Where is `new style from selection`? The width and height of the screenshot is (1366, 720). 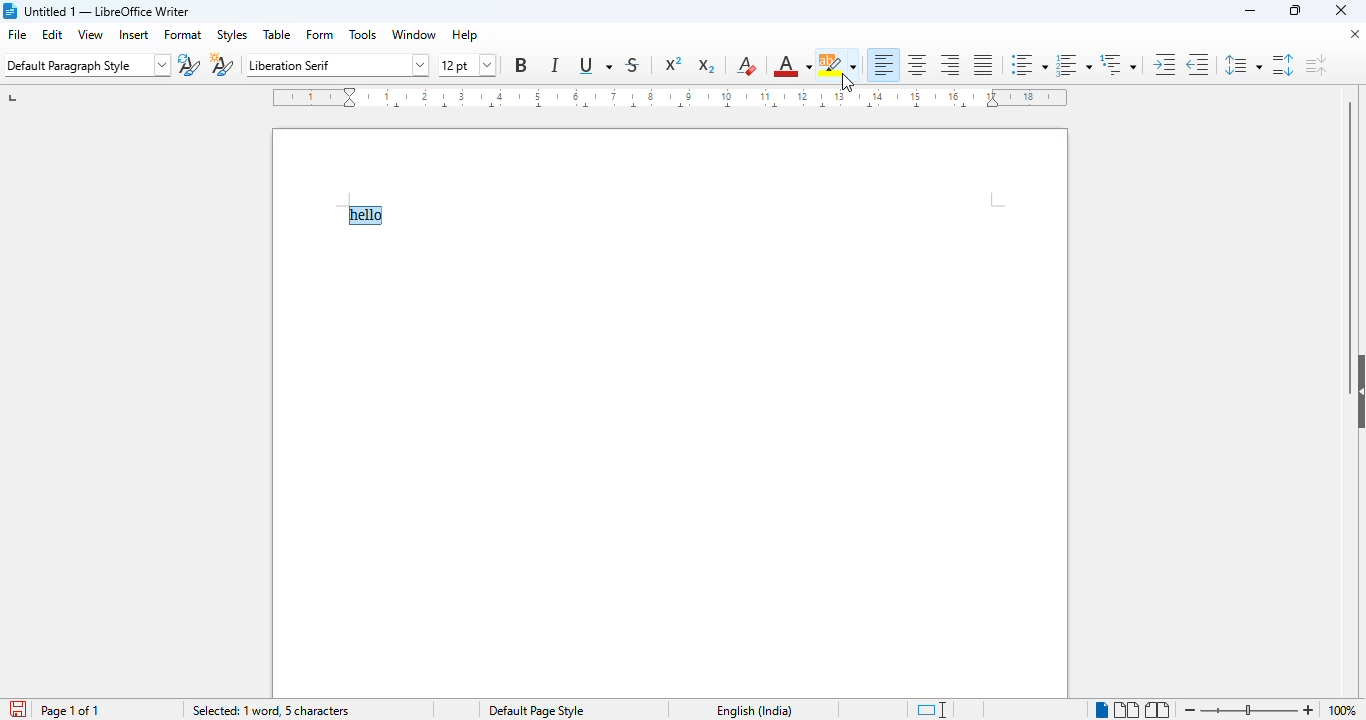
new style from selection is located at coordinates (221, 65).